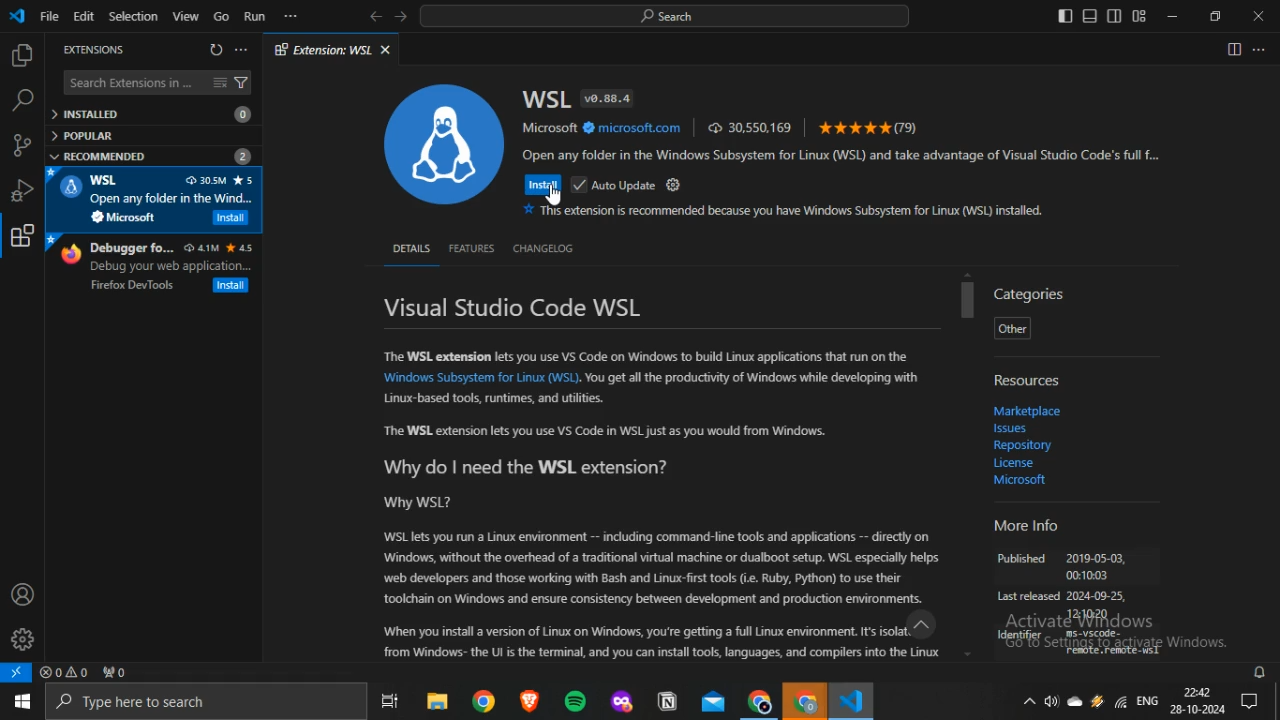  What do you see at coordinates (290, 15) in the screenshot?
I see `more options` at bounding box center [290, 15].